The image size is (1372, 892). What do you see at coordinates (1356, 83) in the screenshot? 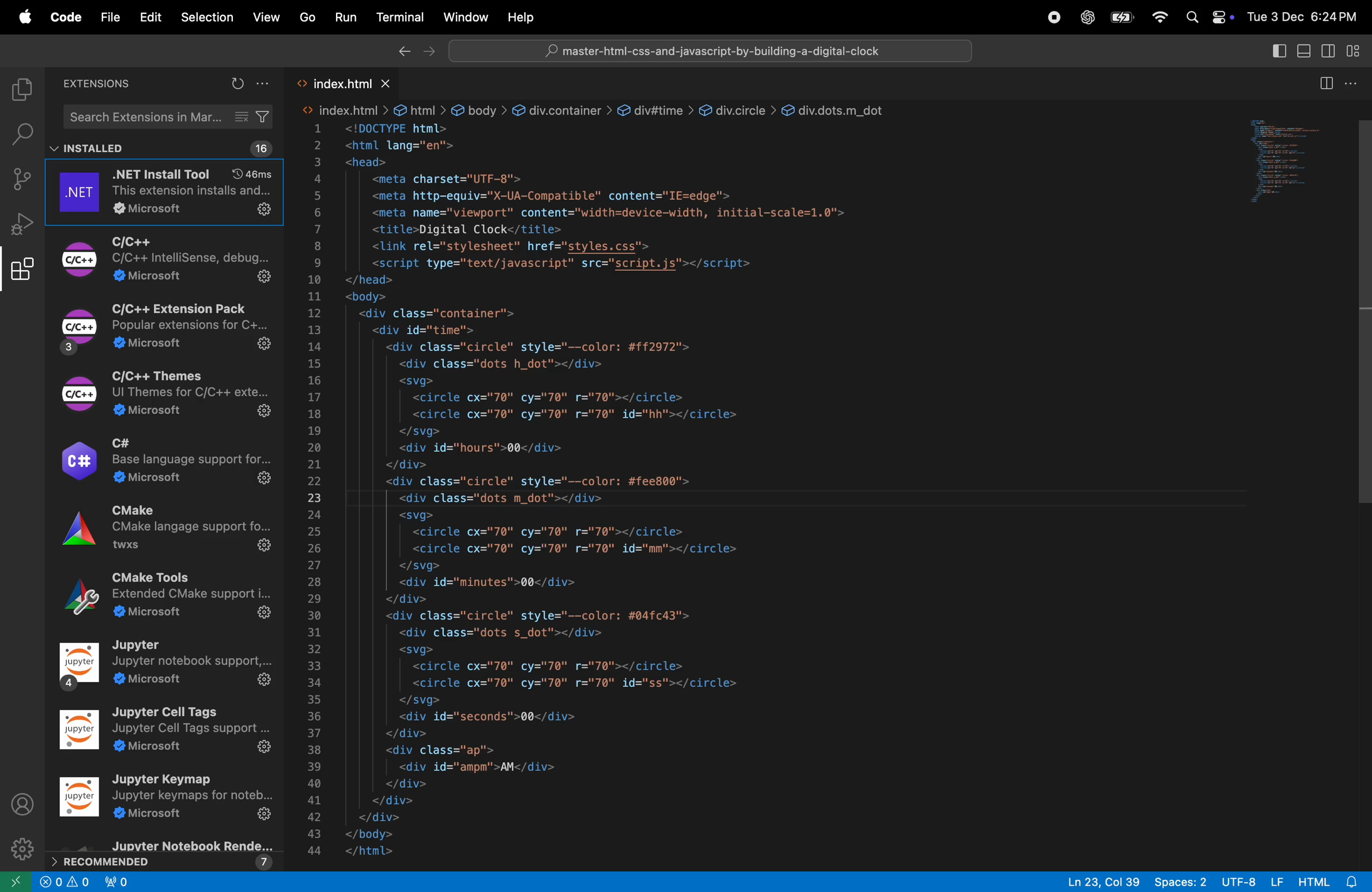
I see `more actions` at bounding box center [1356, 83].